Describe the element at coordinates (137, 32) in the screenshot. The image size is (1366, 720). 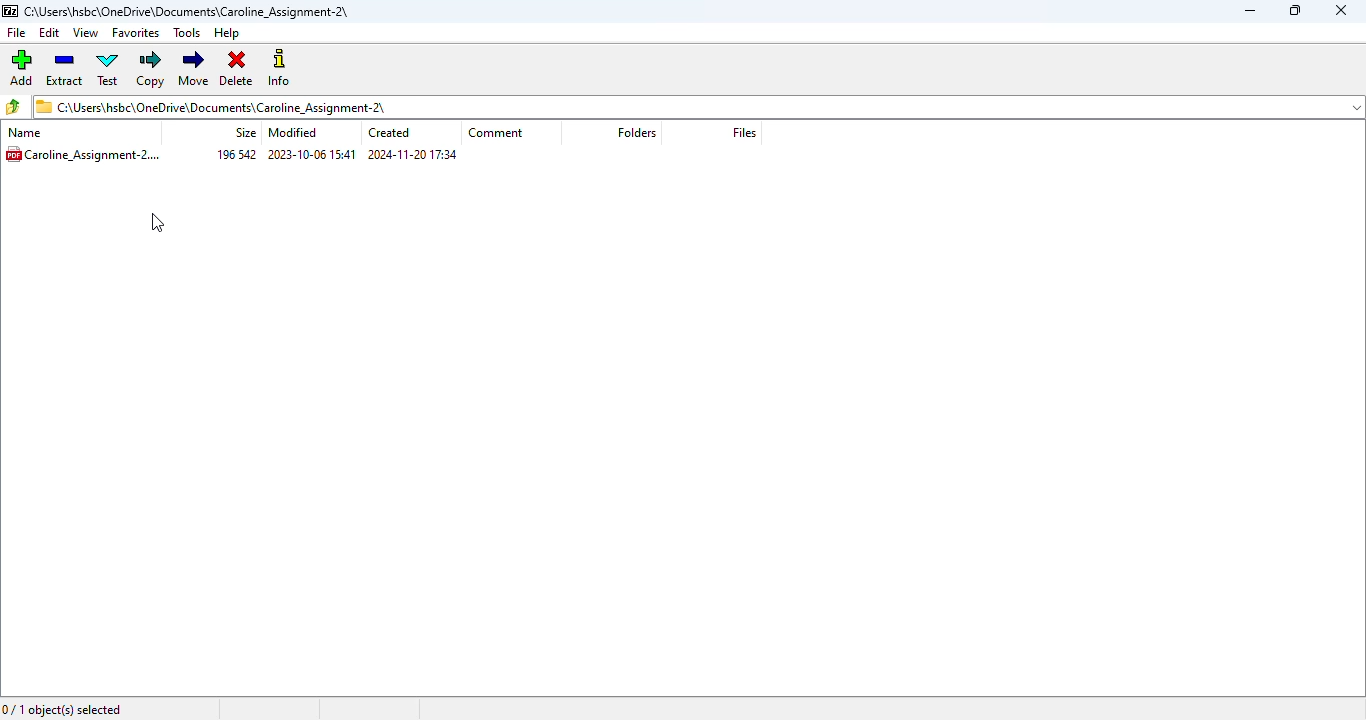
I see `favorites` at that location.